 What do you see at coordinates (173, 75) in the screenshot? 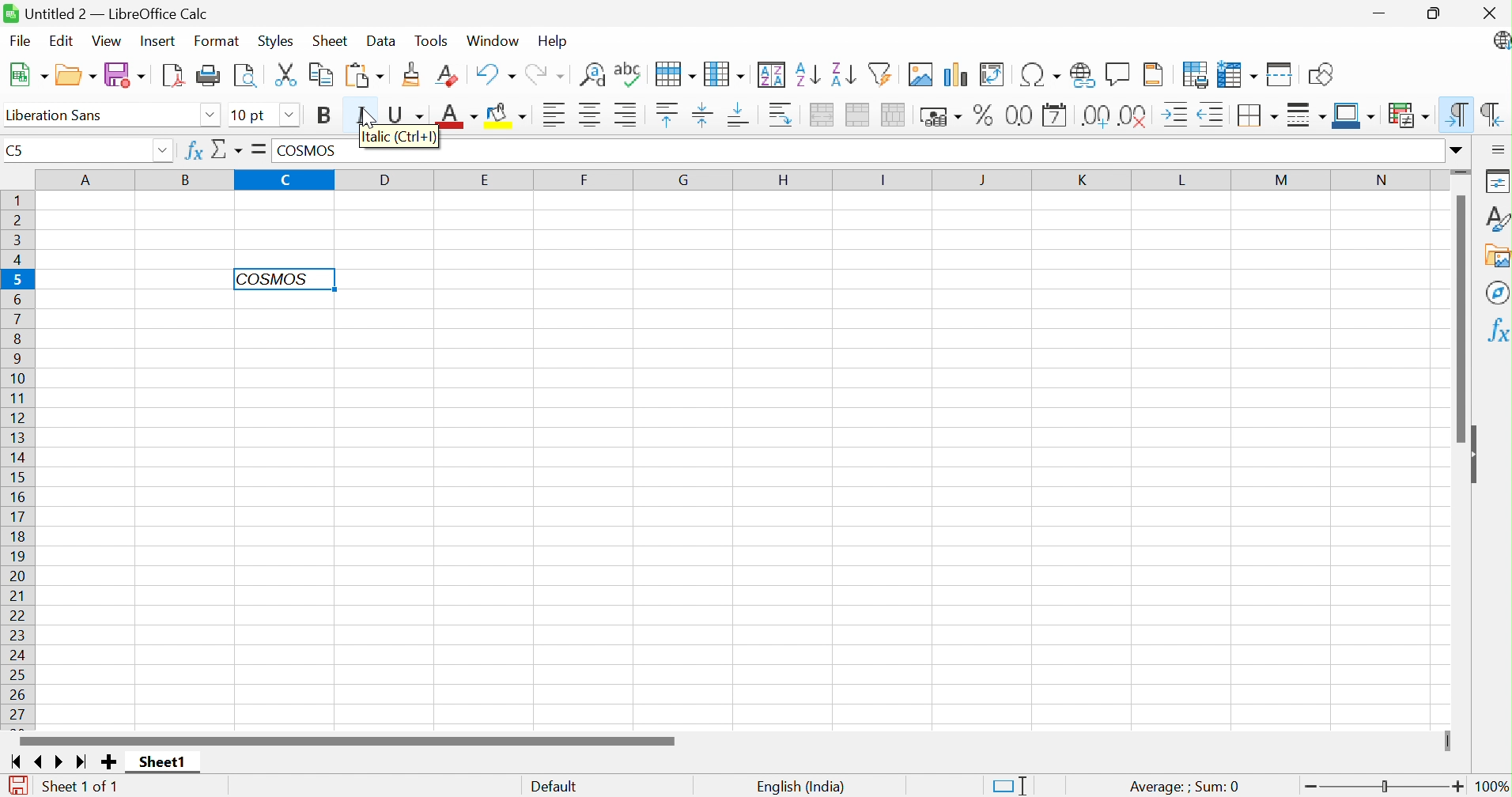
I see `Export as PDF` at bounding box center [173, 75].